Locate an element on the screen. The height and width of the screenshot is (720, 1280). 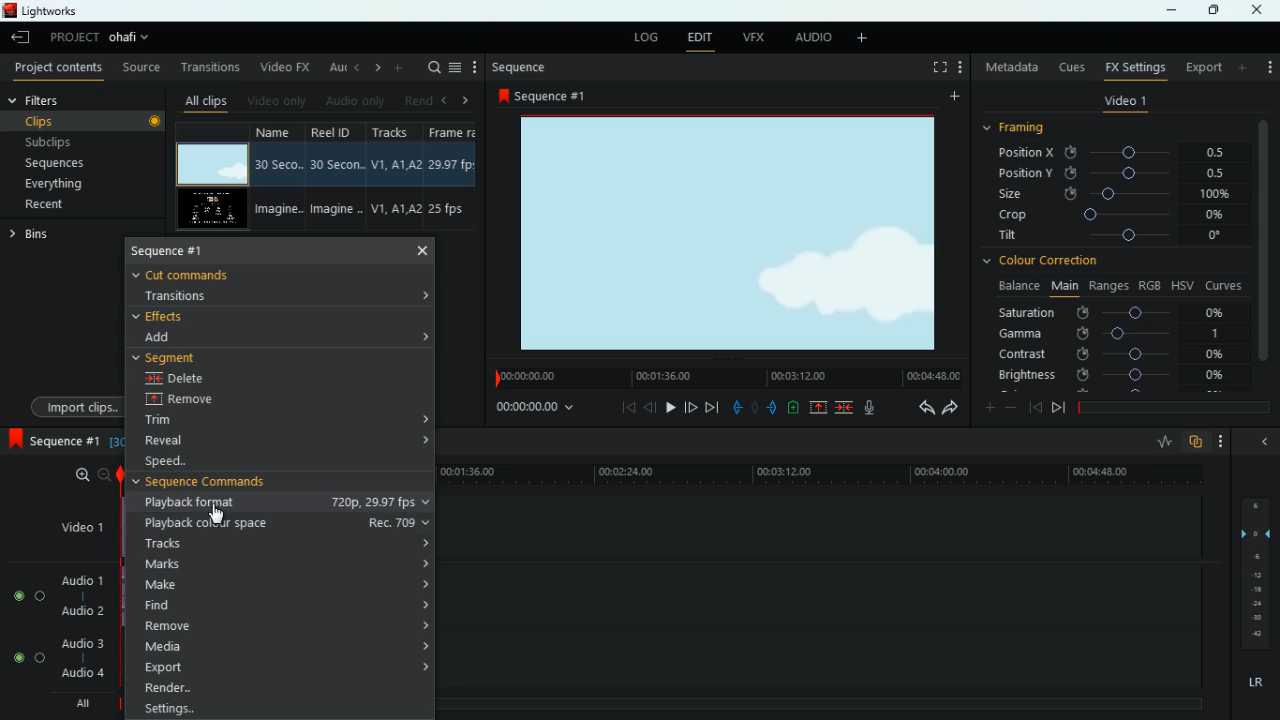
cut commands is located at coordinates (200, 273).